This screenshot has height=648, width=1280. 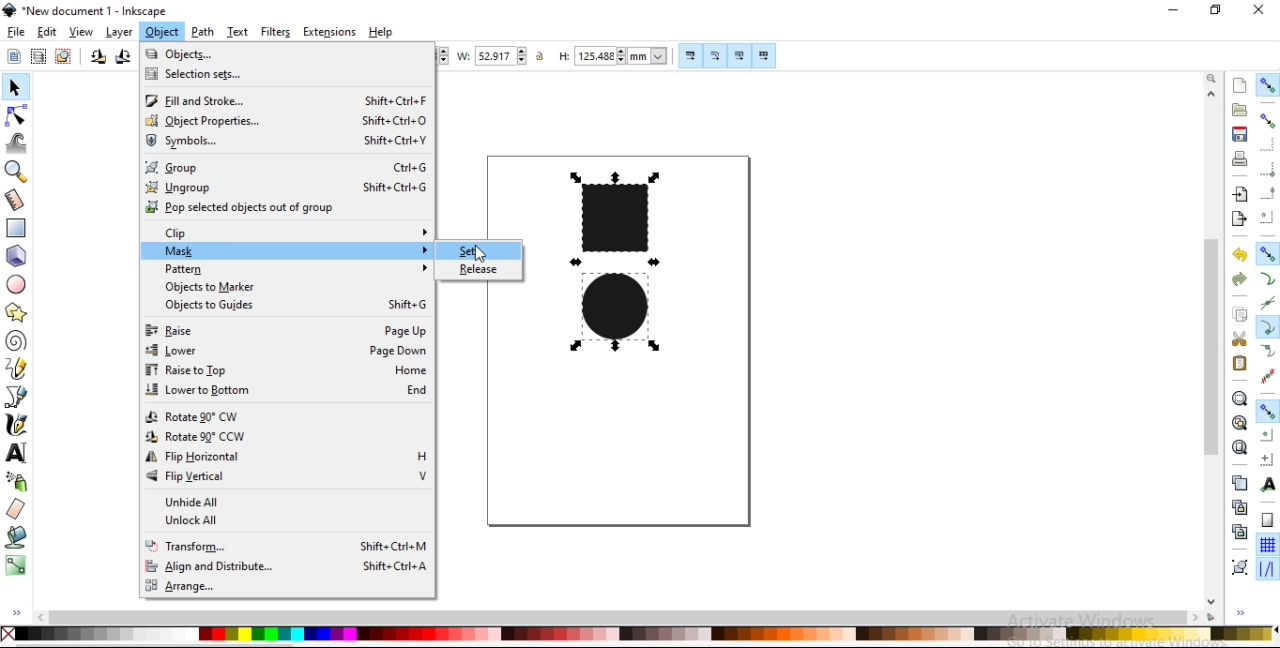 I want to click on align and duplicate, so click(x=286, y=568).